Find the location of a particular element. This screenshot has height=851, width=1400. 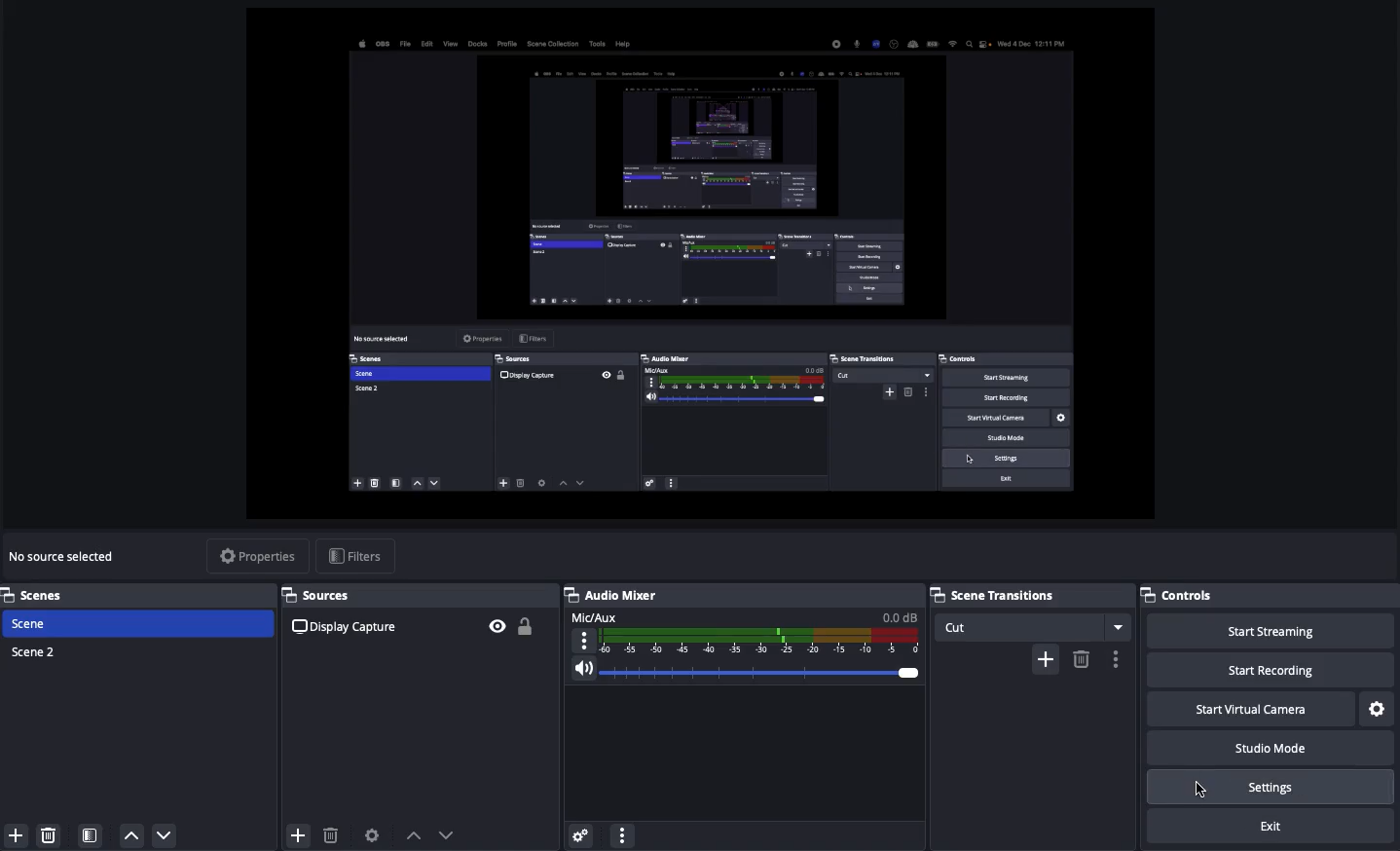

Settings is located at coordinates (1271, 788).